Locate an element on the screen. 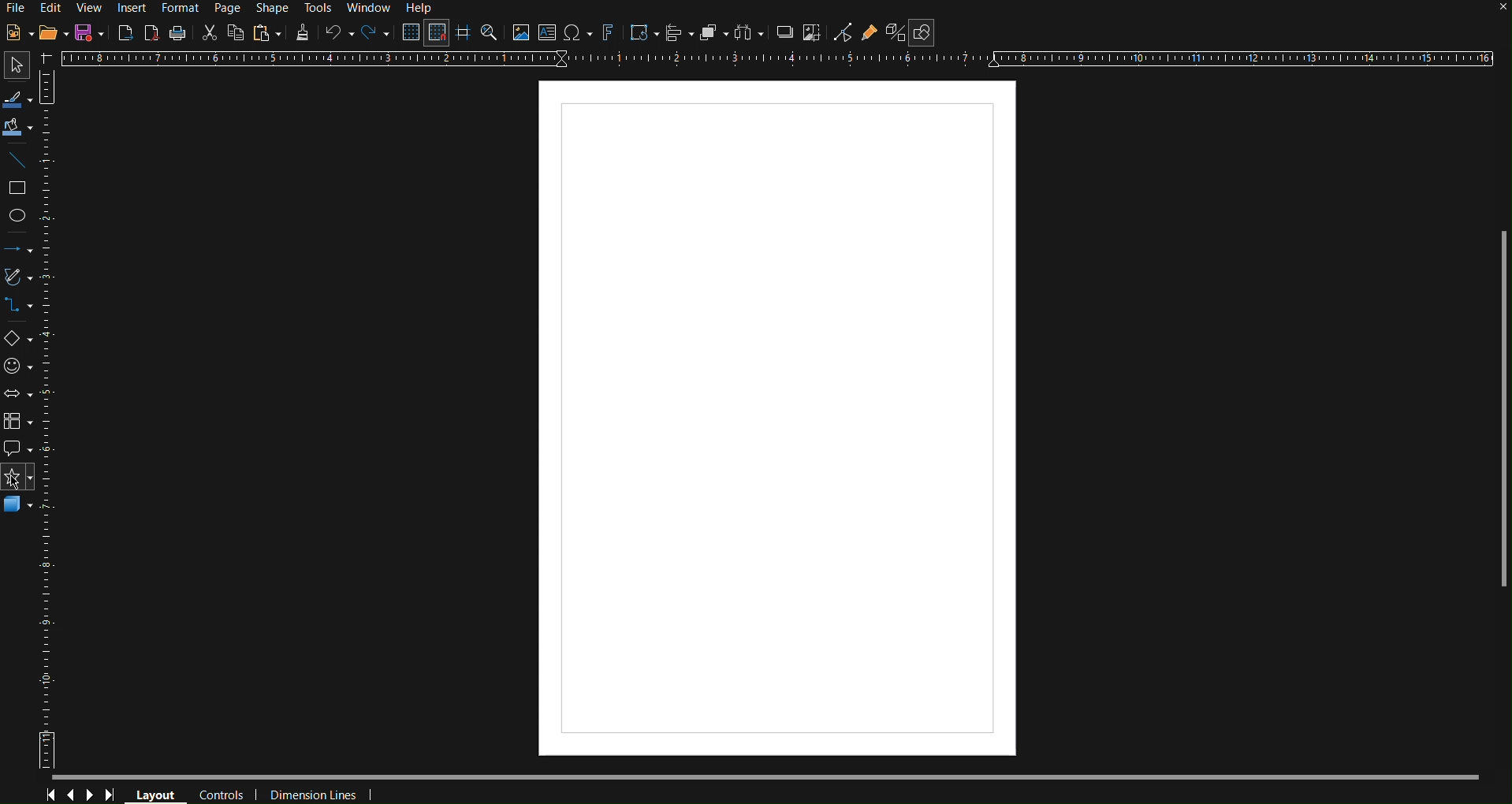 This screenshot has width=1512, height=804. Print is located at coordinates (179, 32).